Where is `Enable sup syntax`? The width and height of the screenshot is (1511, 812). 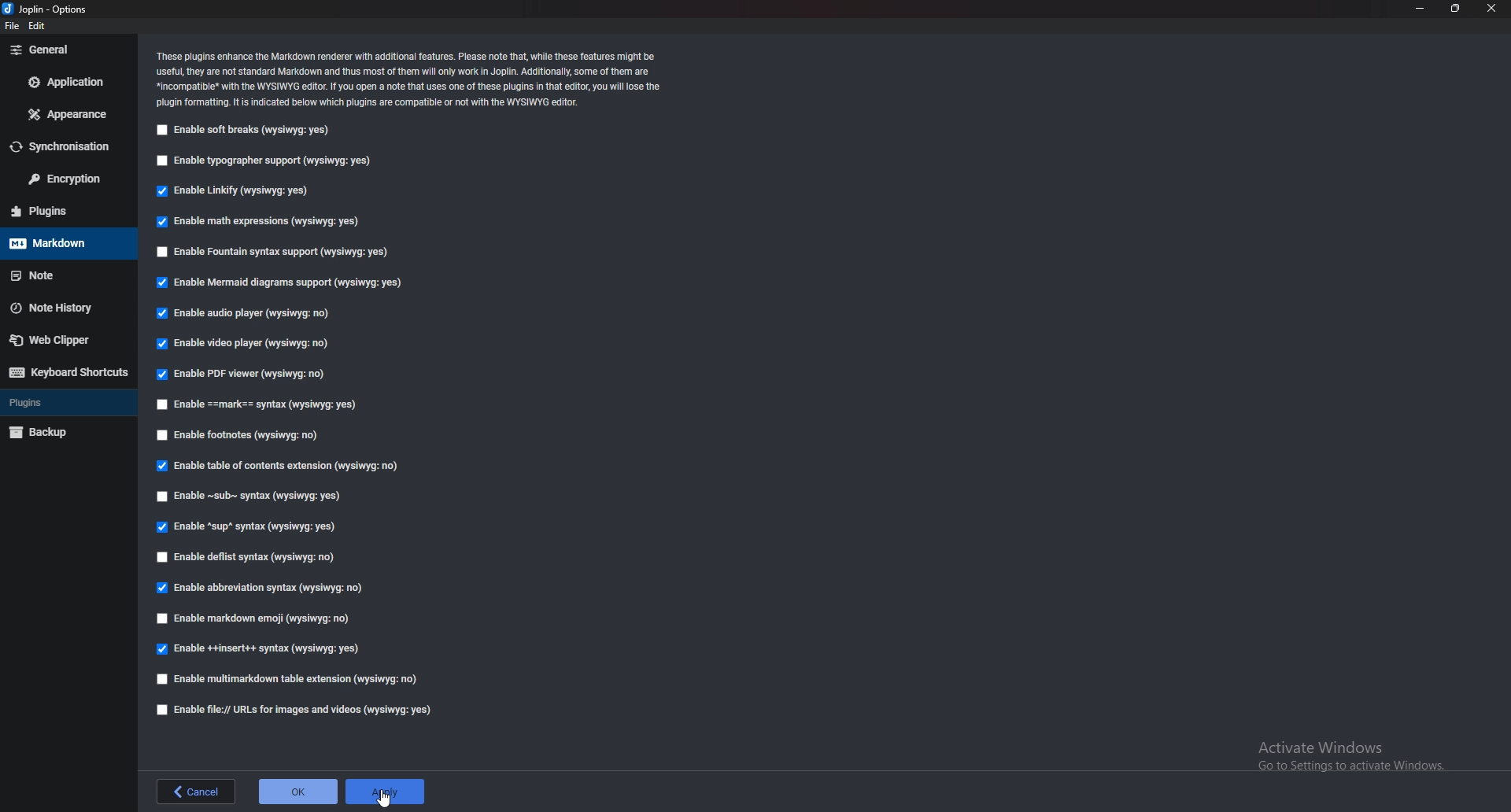 Enable sup syntax is located at coordinates (251, 526).